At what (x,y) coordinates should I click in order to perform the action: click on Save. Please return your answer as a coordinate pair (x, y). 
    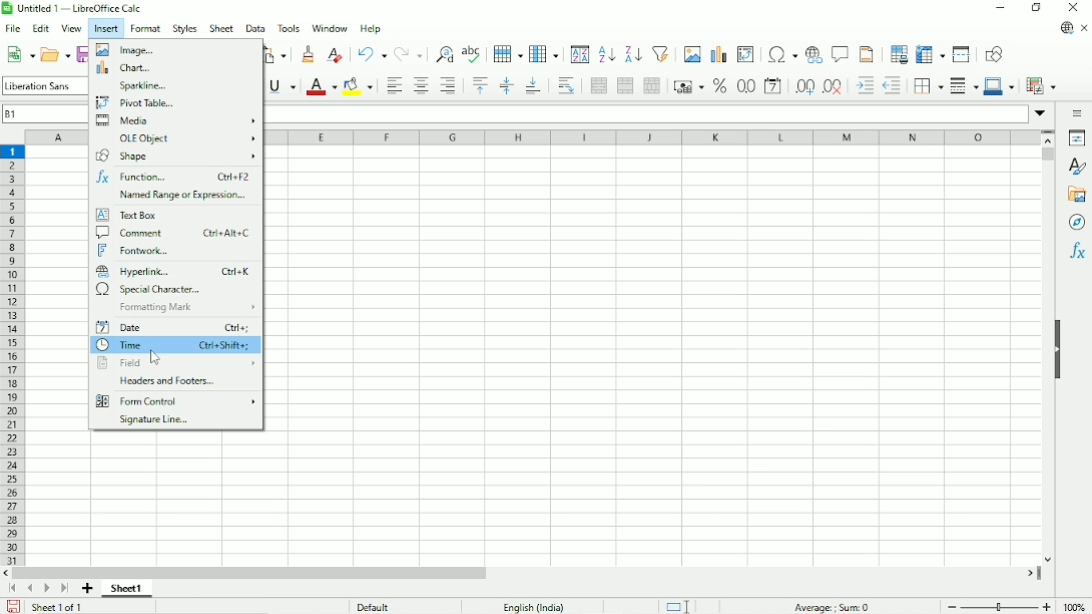
    Looking at the image, I should click on (13, 606).